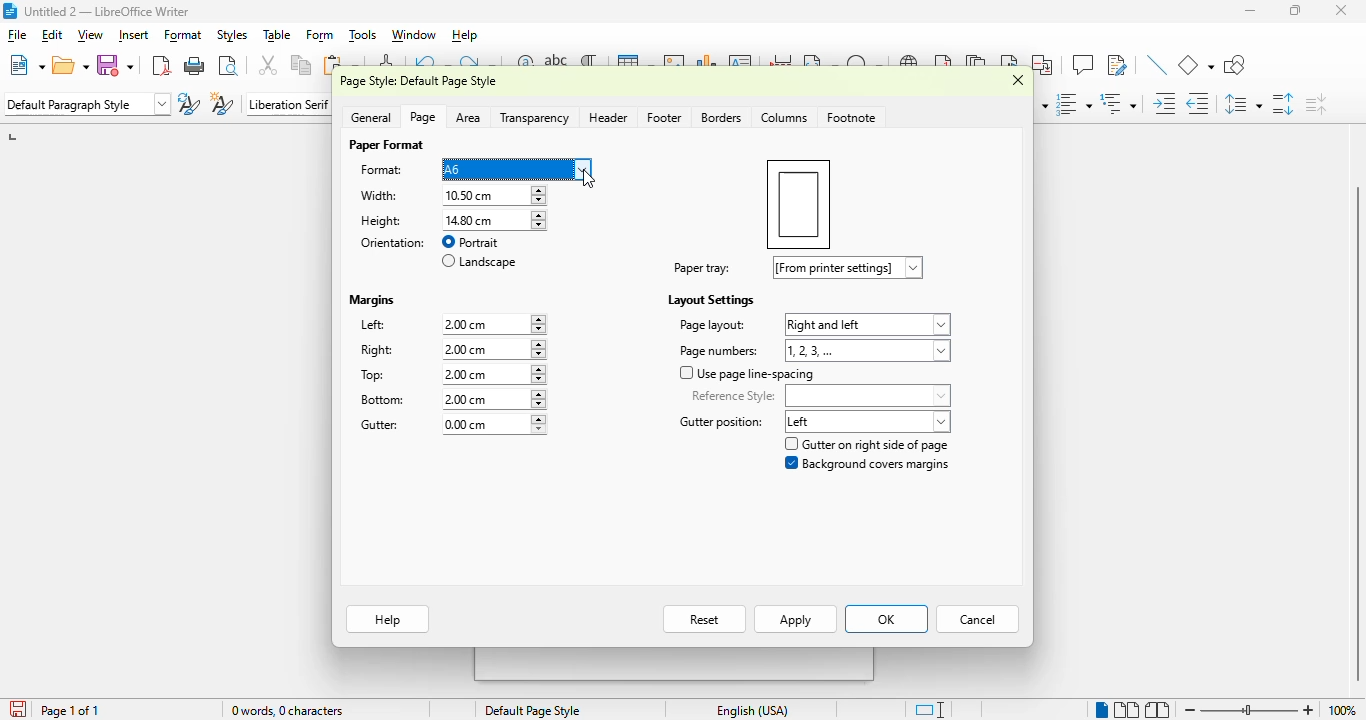 The width and height of the screenshot is (1366, 720). Describe the element at coordinates (785, 117) in the screenshot. I see `colummns` at that location.